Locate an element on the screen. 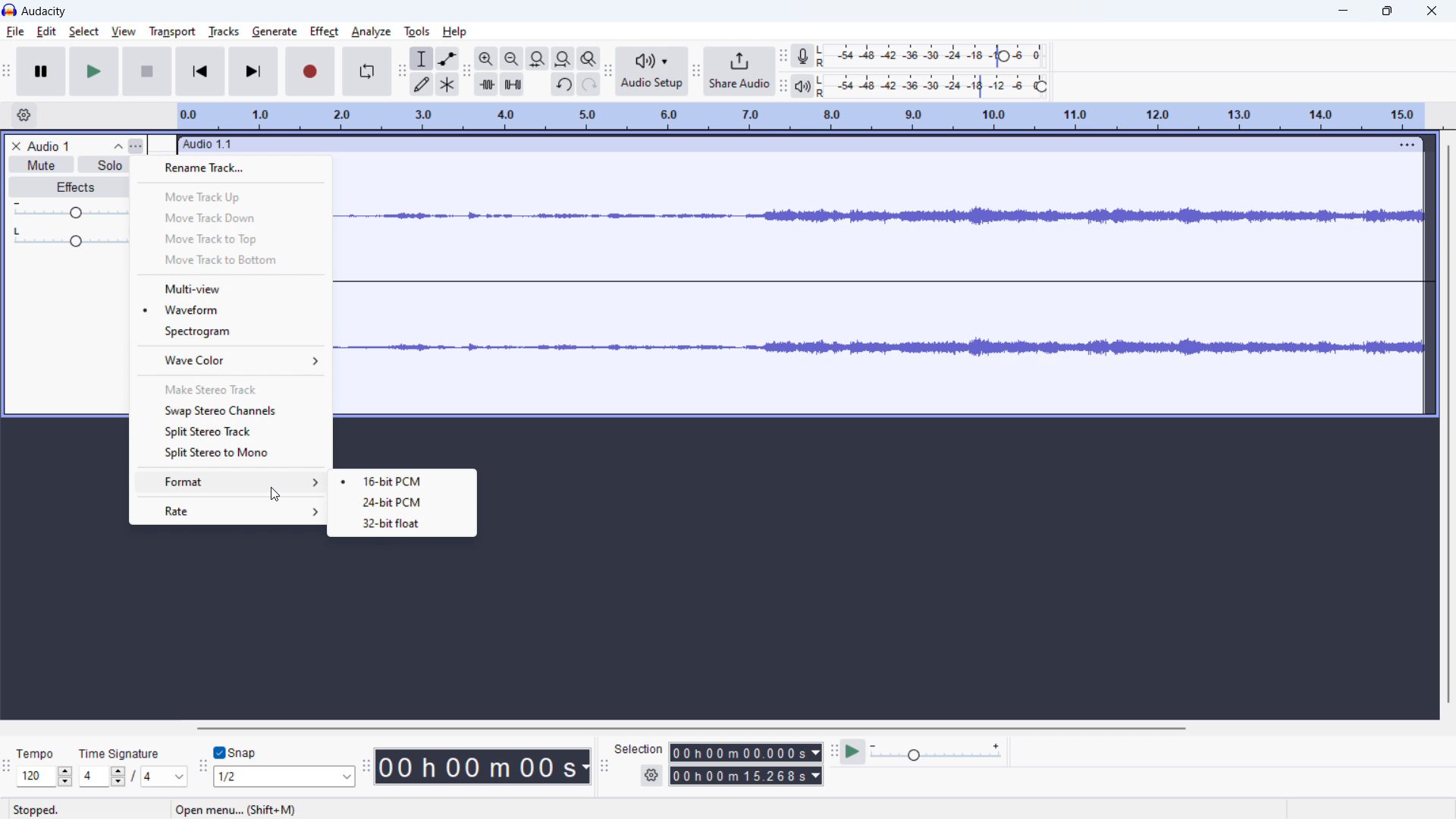 This screenshot has height=819, width=1456. skip to start is located at coordinates (200, 71).